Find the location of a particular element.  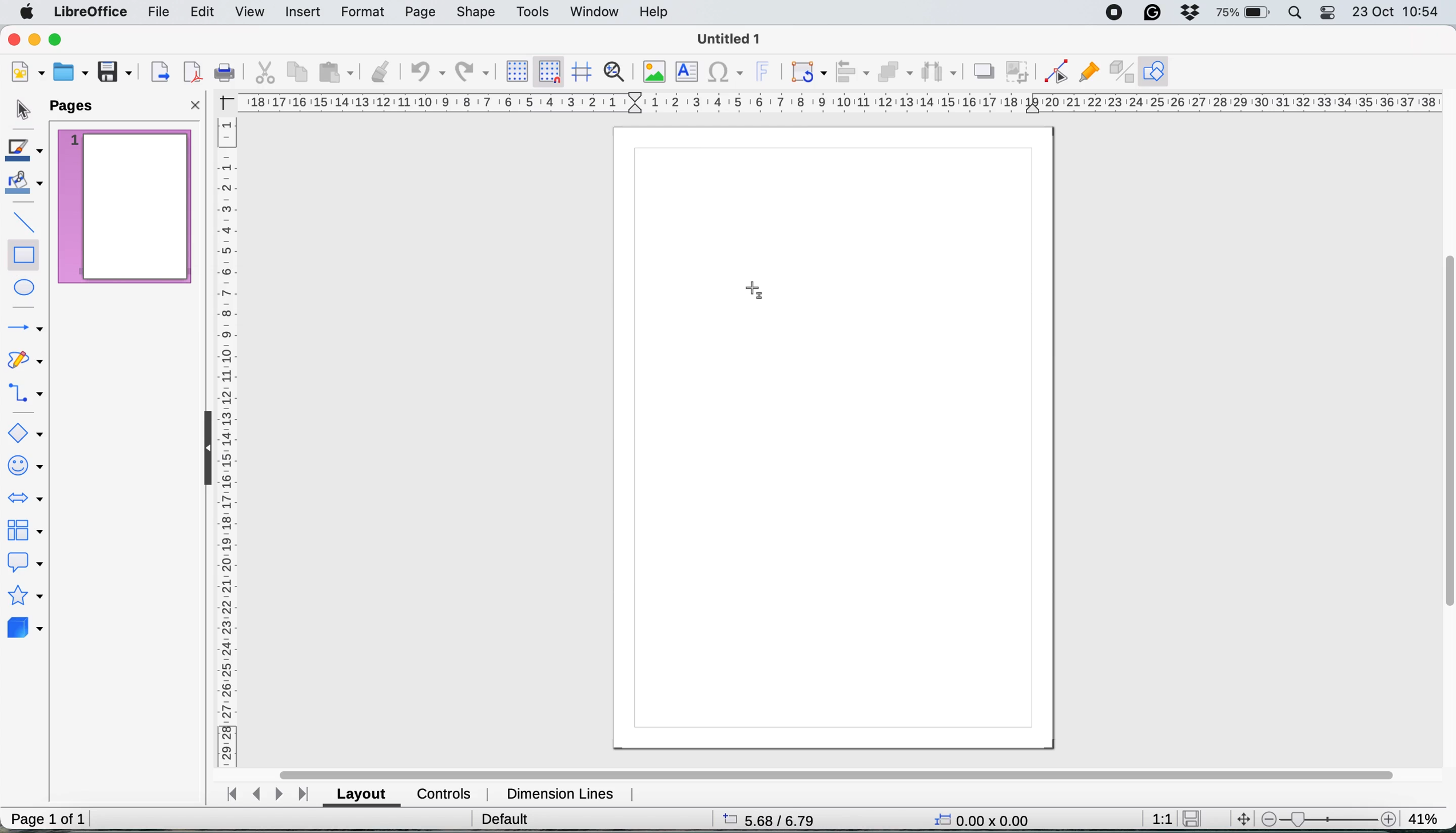

rectangle is located at coordinates (25, 253).